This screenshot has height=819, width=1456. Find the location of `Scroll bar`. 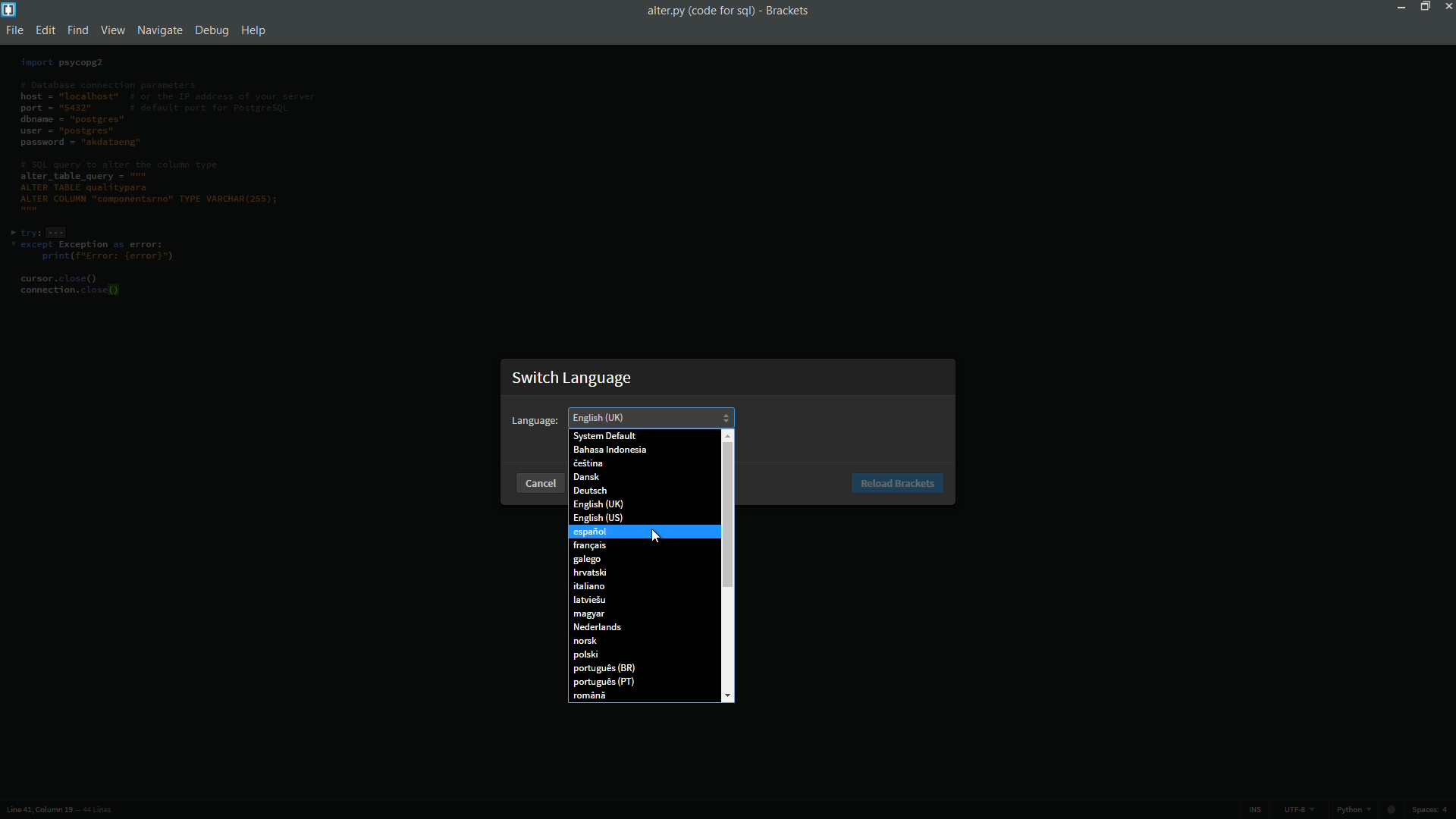

Scroll bar is located at coordinates (728, 519).